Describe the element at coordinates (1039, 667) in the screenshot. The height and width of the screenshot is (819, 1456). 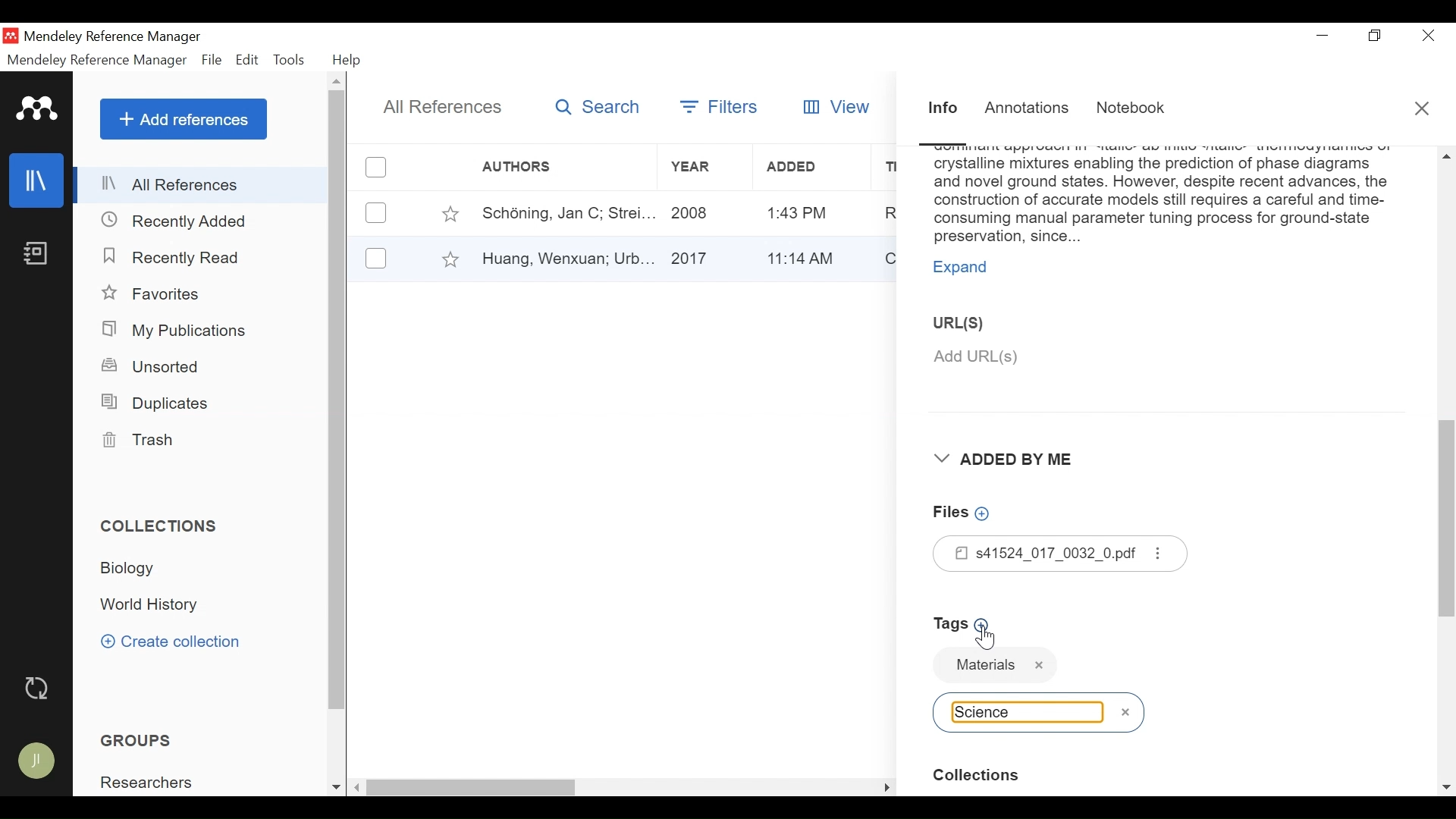
I see `Tag name` at that location.